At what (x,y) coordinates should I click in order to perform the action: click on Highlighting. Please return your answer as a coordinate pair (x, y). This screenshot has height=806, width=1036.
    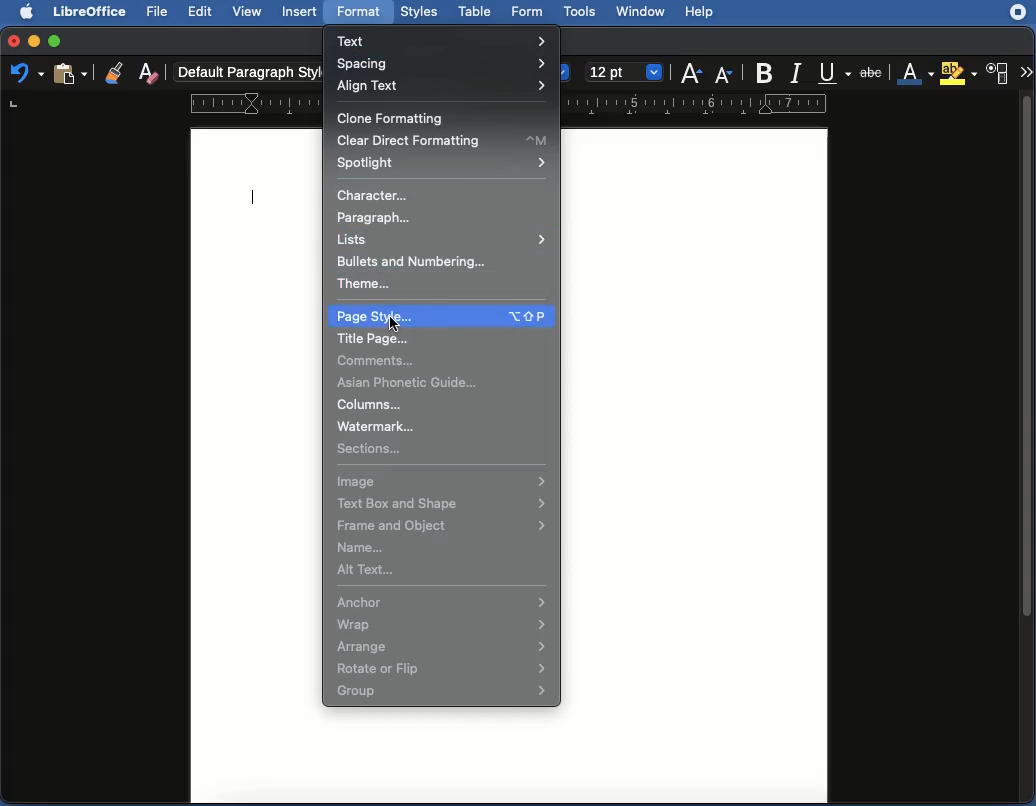
    Looking at the image, I should click on (957, 73).